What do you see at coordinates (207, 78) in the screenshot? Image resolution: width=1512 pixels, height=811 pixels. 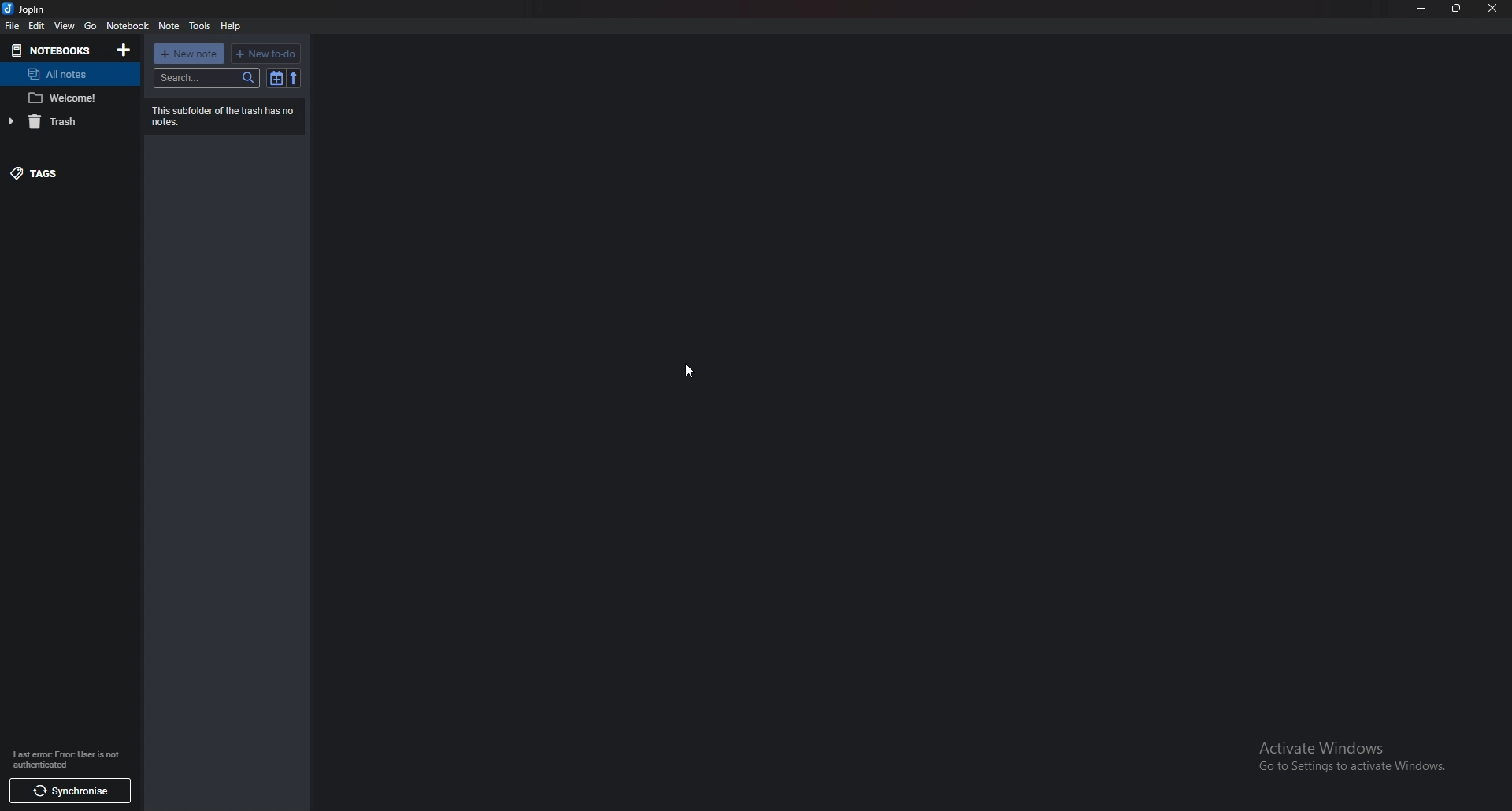 I see `search` at bounding box center [207, 78].